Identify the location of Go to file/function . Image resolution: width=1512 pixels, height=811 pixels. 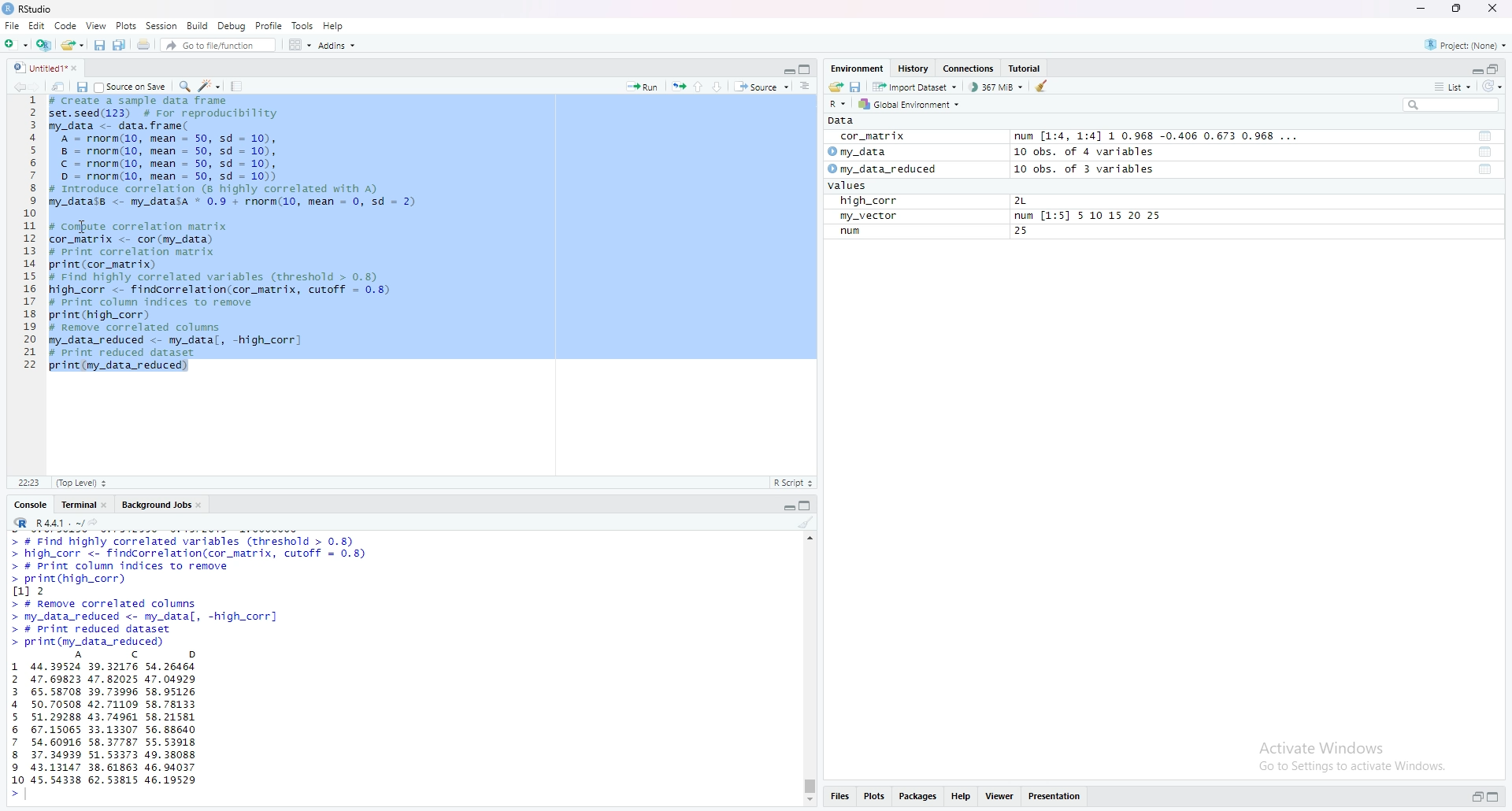
(221, 46).